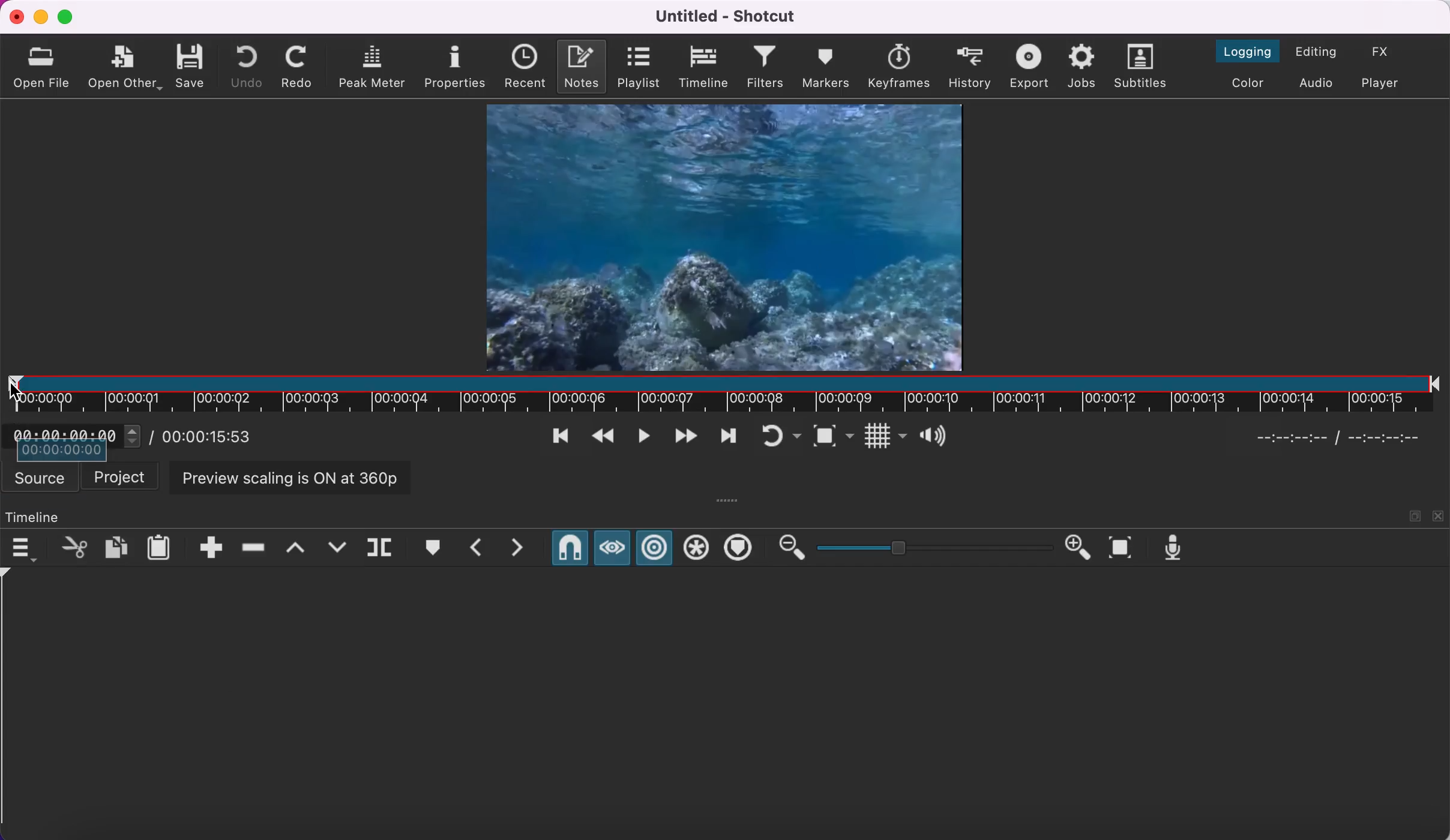  I want to click on ripple, so click(655, 547).